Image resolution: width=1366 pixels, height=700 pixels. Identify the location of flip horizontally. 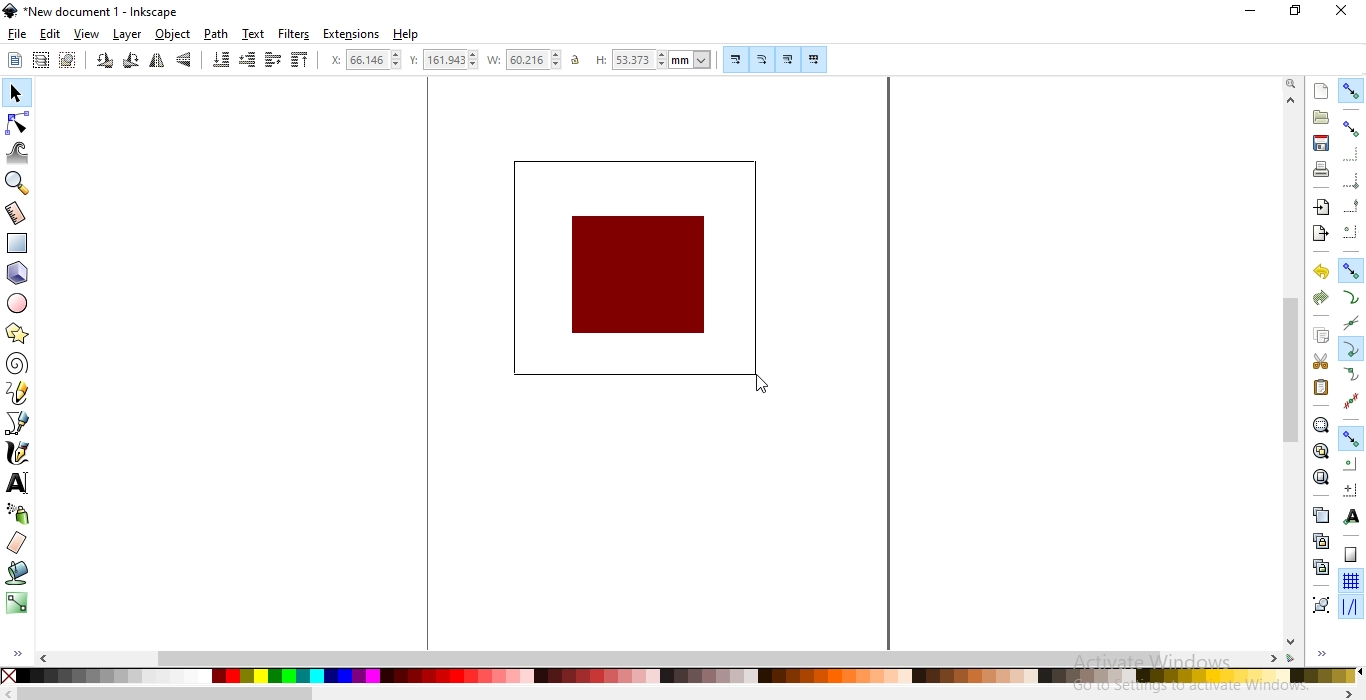
(157, 63).